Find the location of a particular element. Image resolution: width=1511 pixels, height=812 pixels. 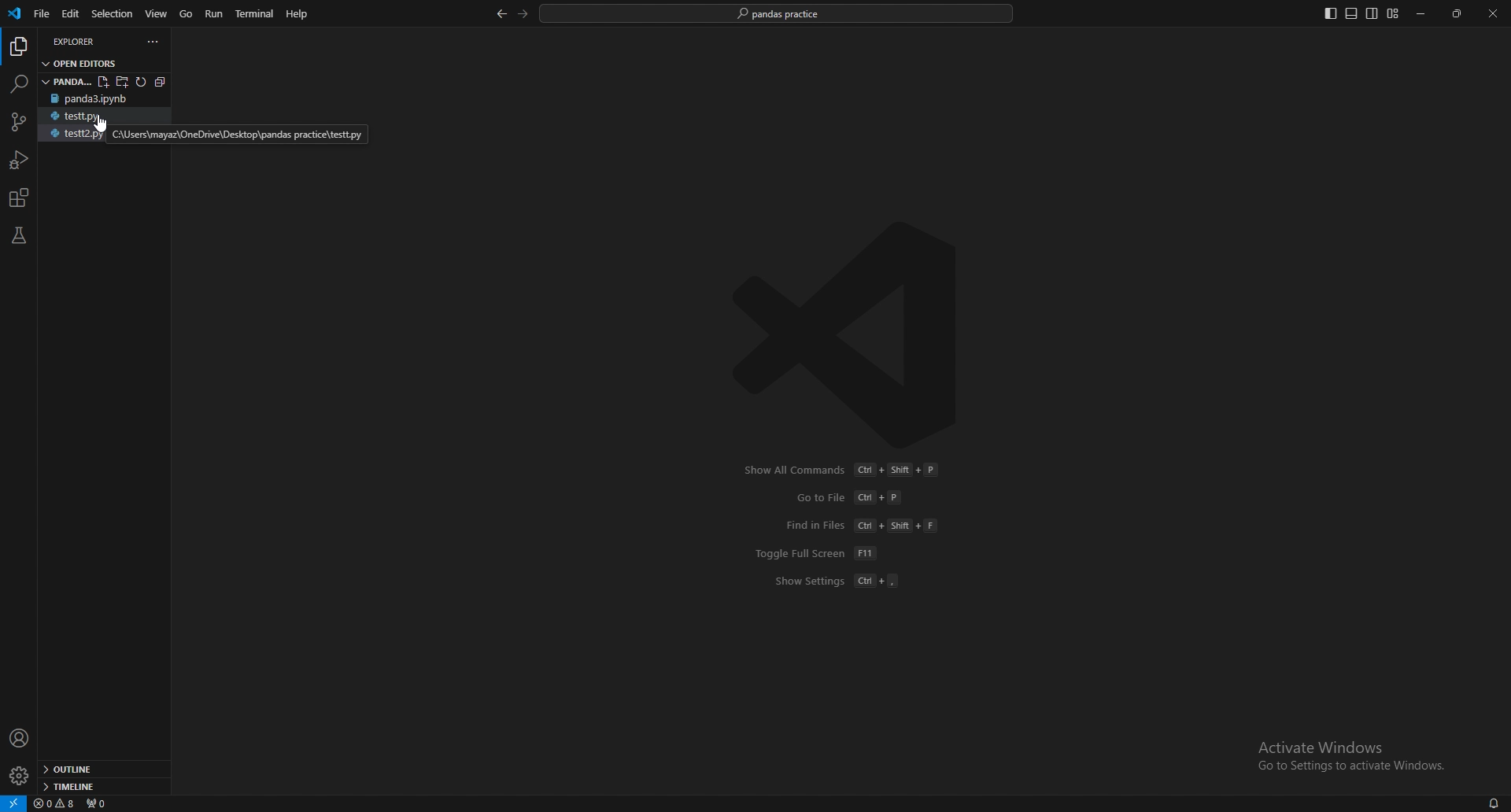

explorer is located at coordinates (91, 40).